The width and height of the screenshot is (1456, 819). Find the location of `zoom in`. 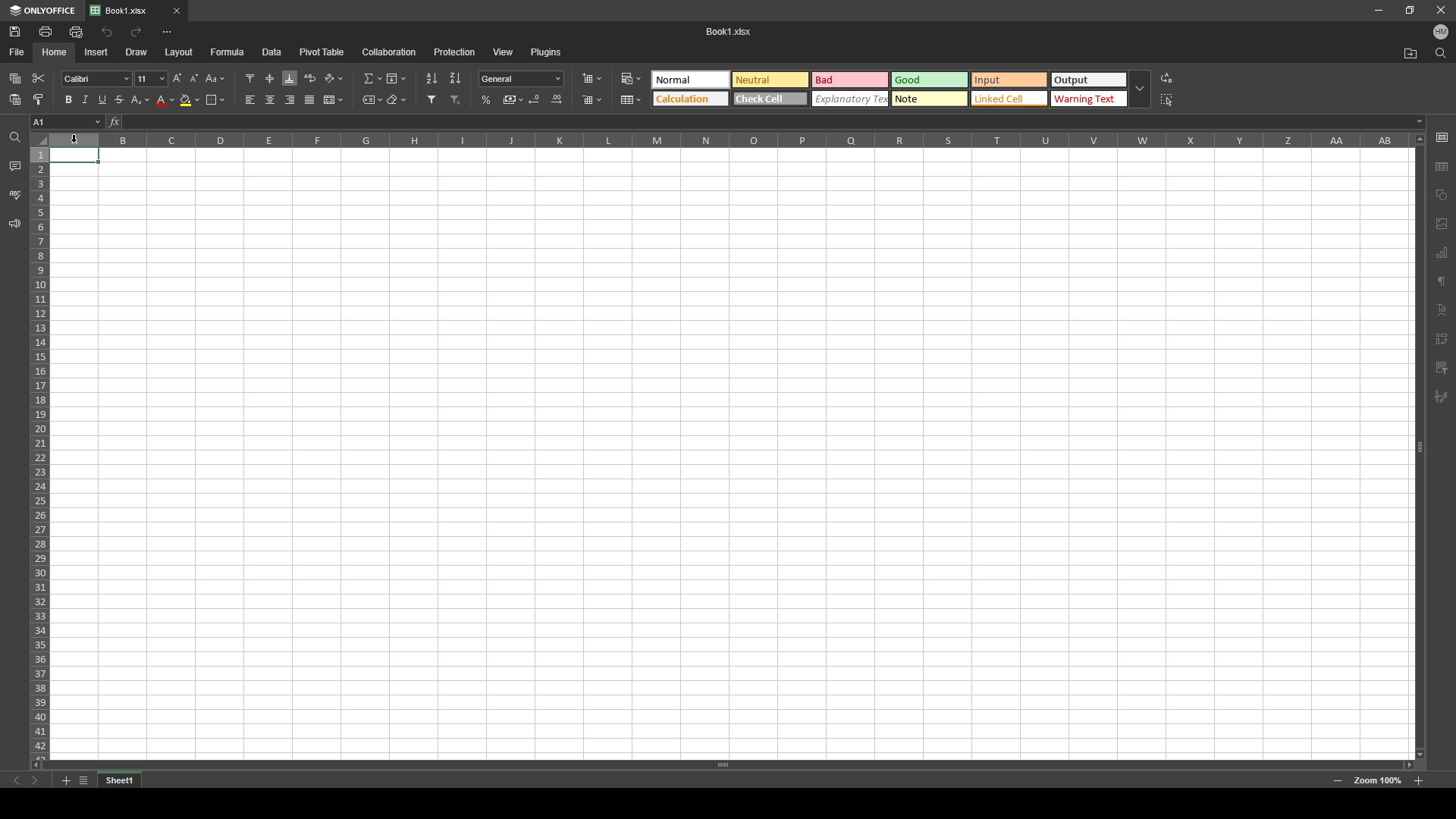

zoom in is located at coordinates (1418, 781).